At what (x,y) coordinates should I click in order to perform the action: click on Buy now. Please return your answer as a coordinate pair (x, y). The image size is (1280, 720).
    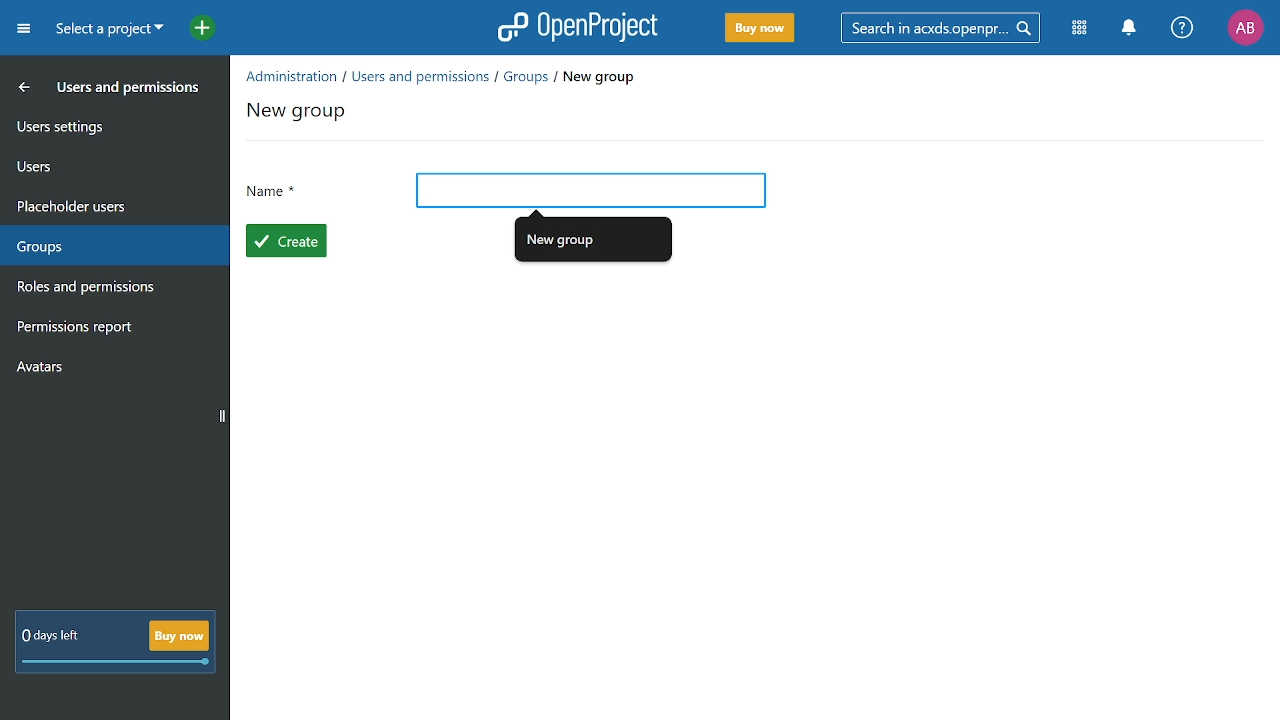
    Looking at the image, I should click on (178, 635).